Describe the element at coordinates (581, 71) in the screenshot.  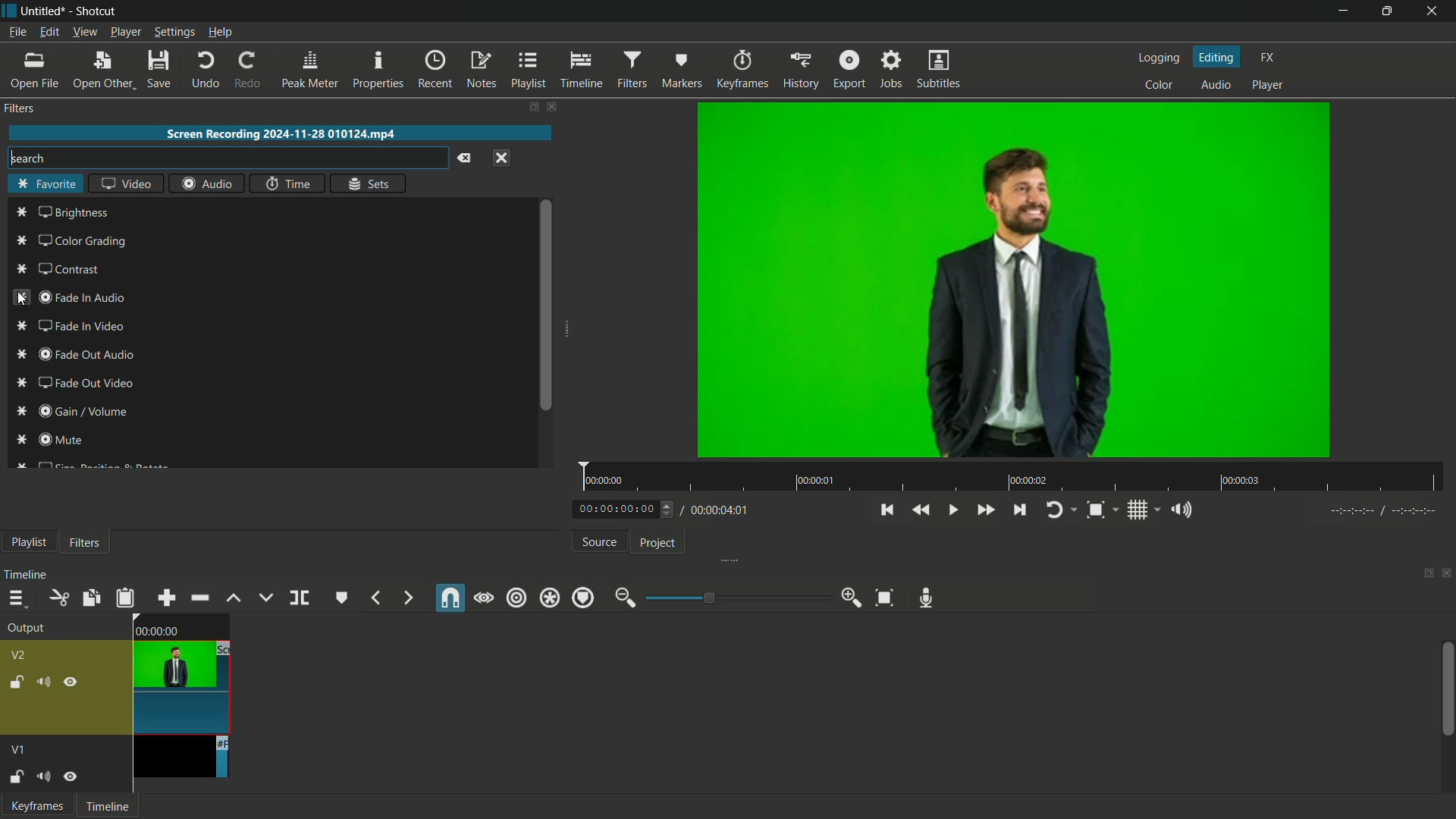
I see `timeline` at that location.